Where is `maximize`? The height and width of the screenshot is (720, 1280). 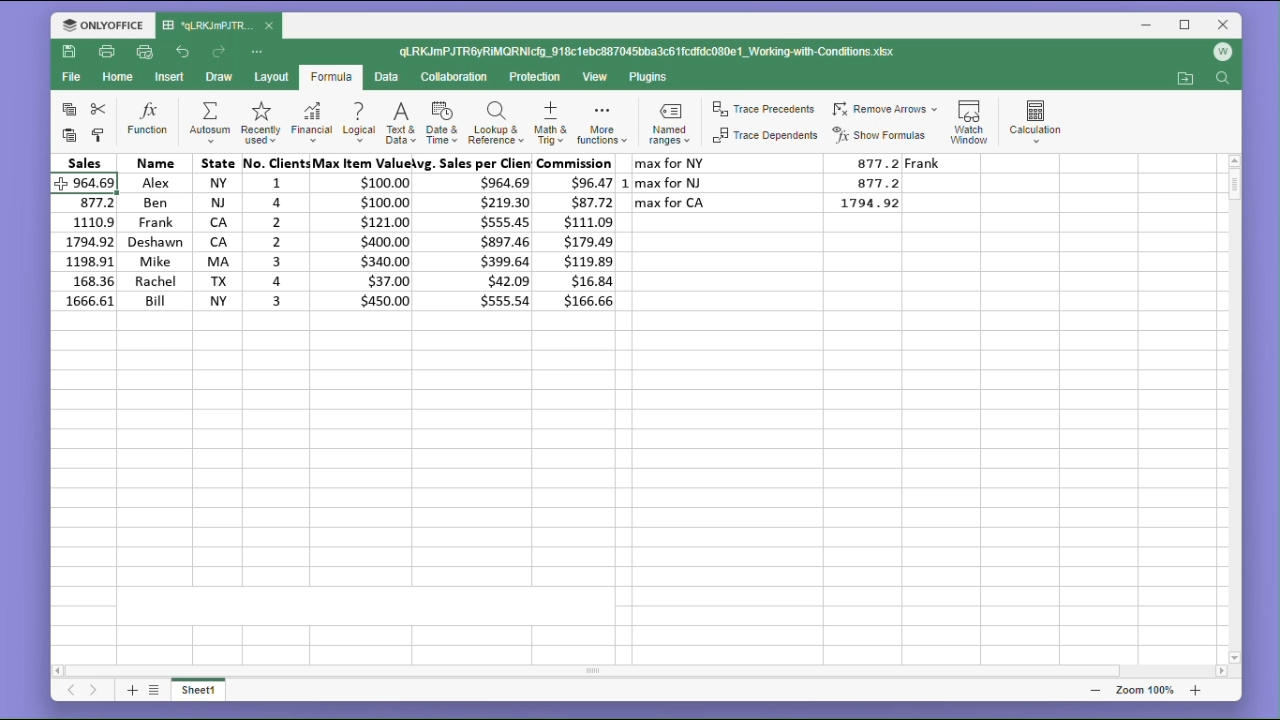 maximize is located at coordinates (1186, 24).